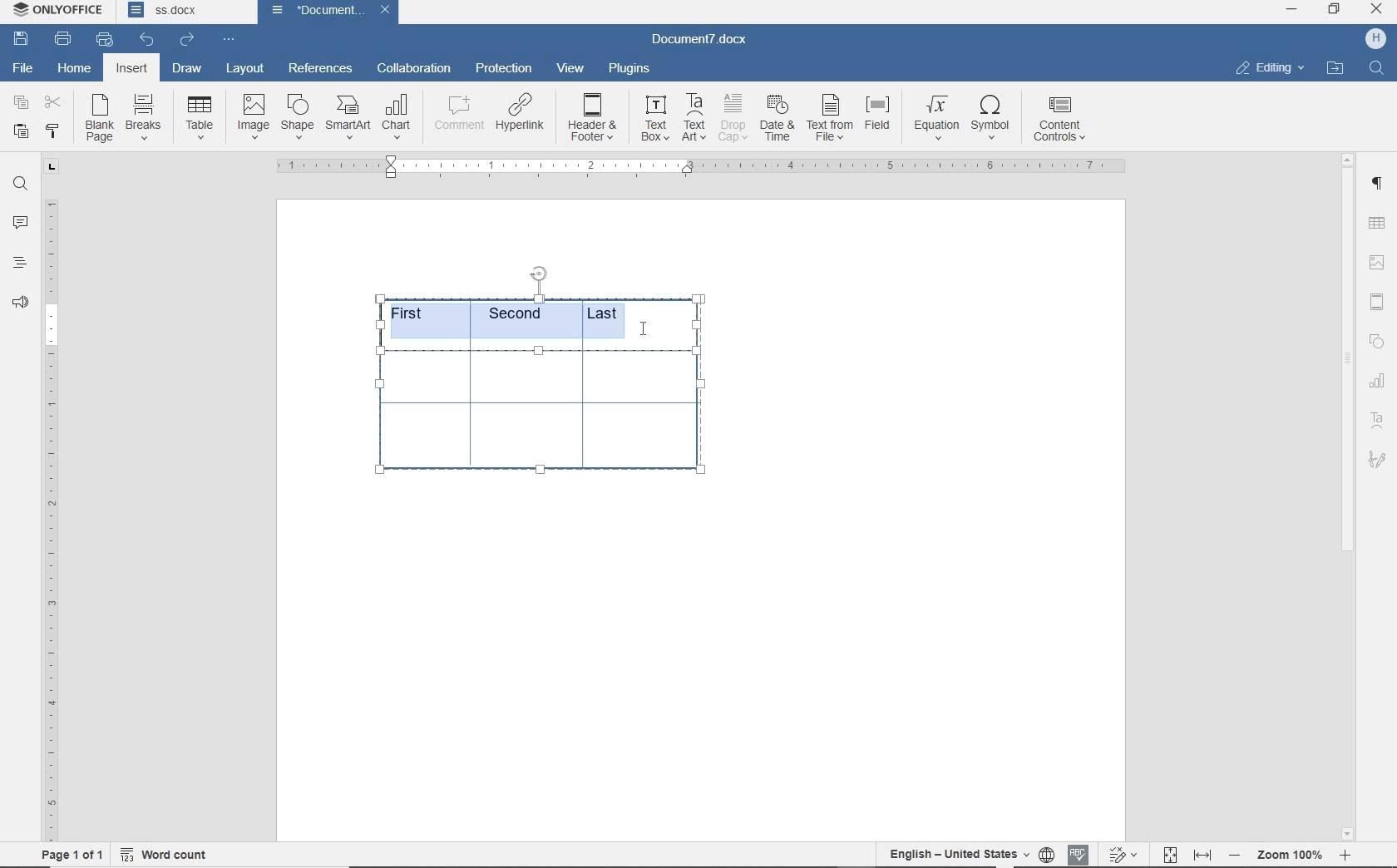 The image size is (1397, 868). I want to click on text art, so click(694, 117).